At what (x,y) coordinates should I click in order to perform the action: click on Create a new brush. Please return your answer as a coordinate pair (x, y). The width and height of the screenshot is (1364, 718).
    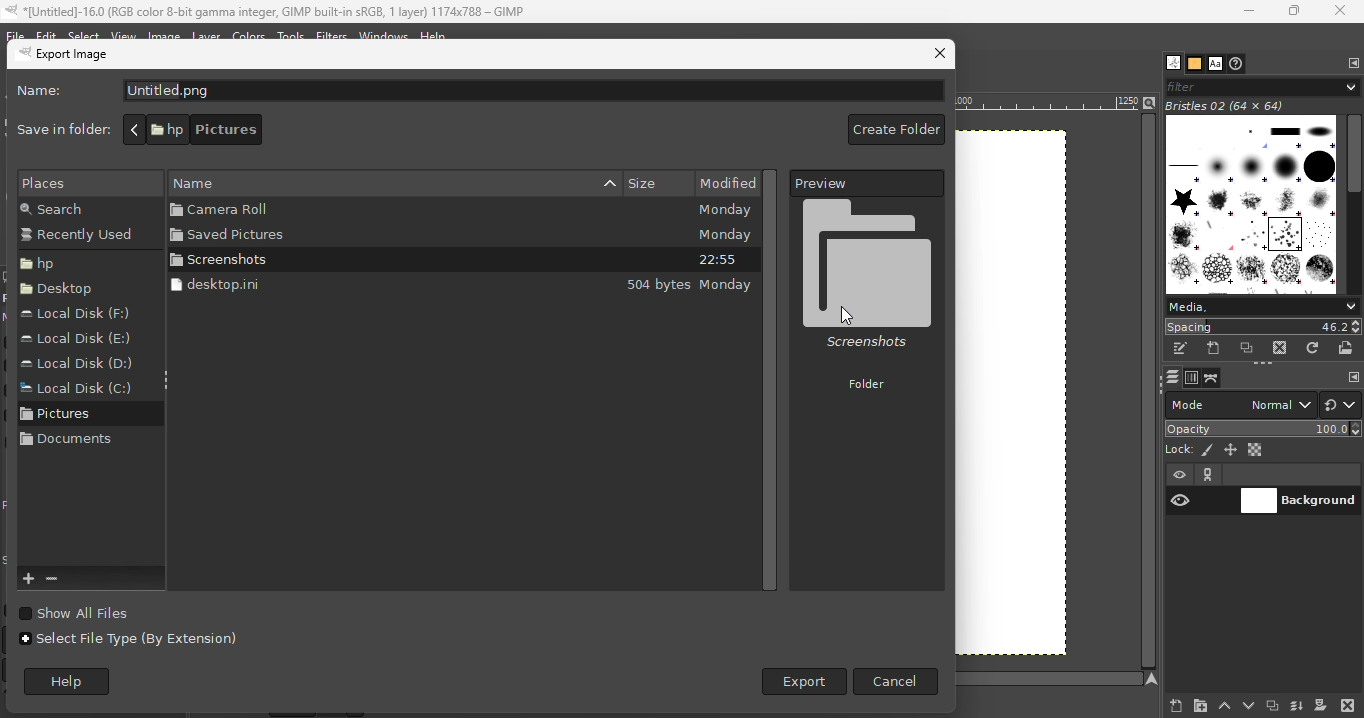
    Looking at the image, I should click on (1214, 348).